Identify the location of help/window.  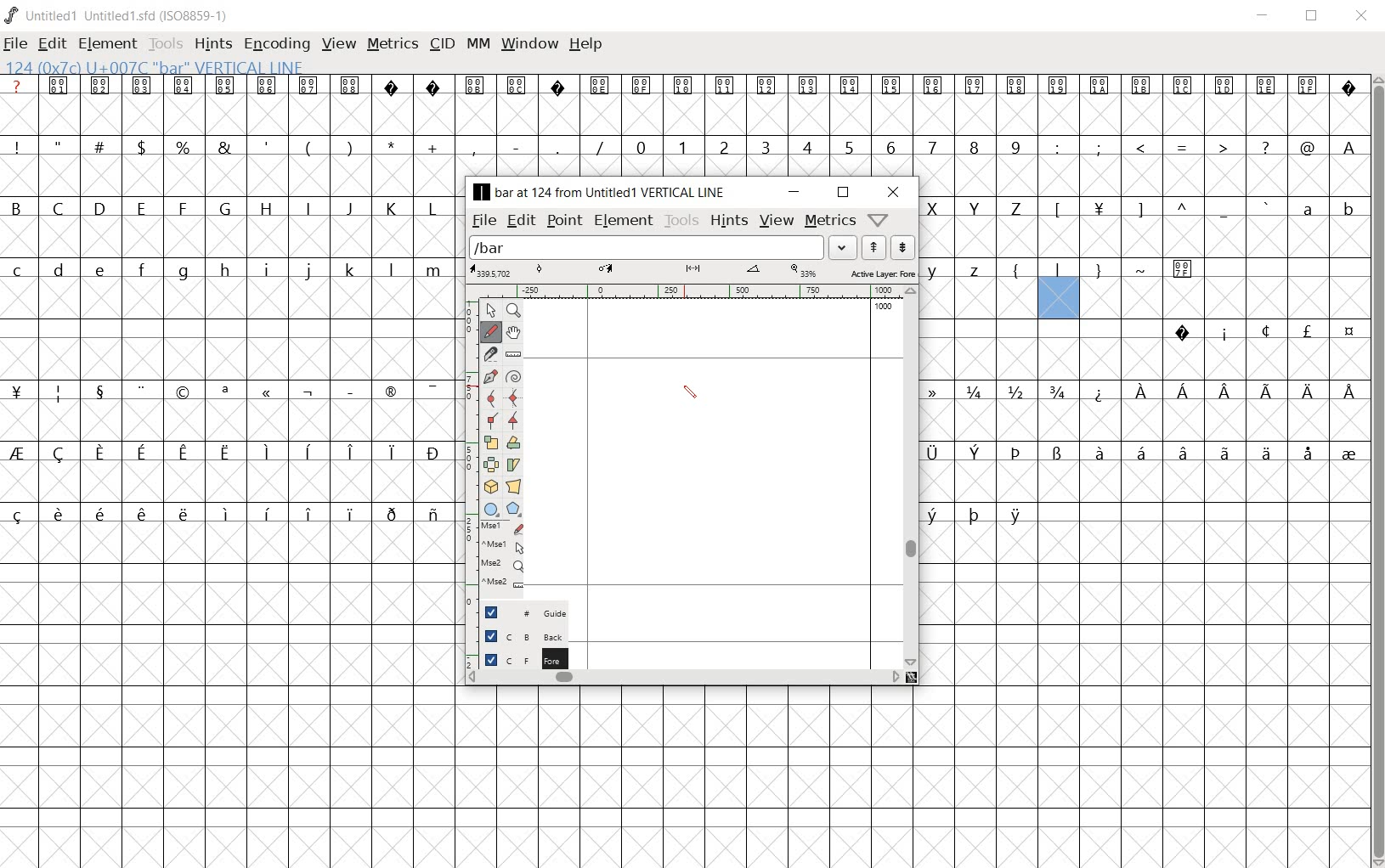
(879, 218).